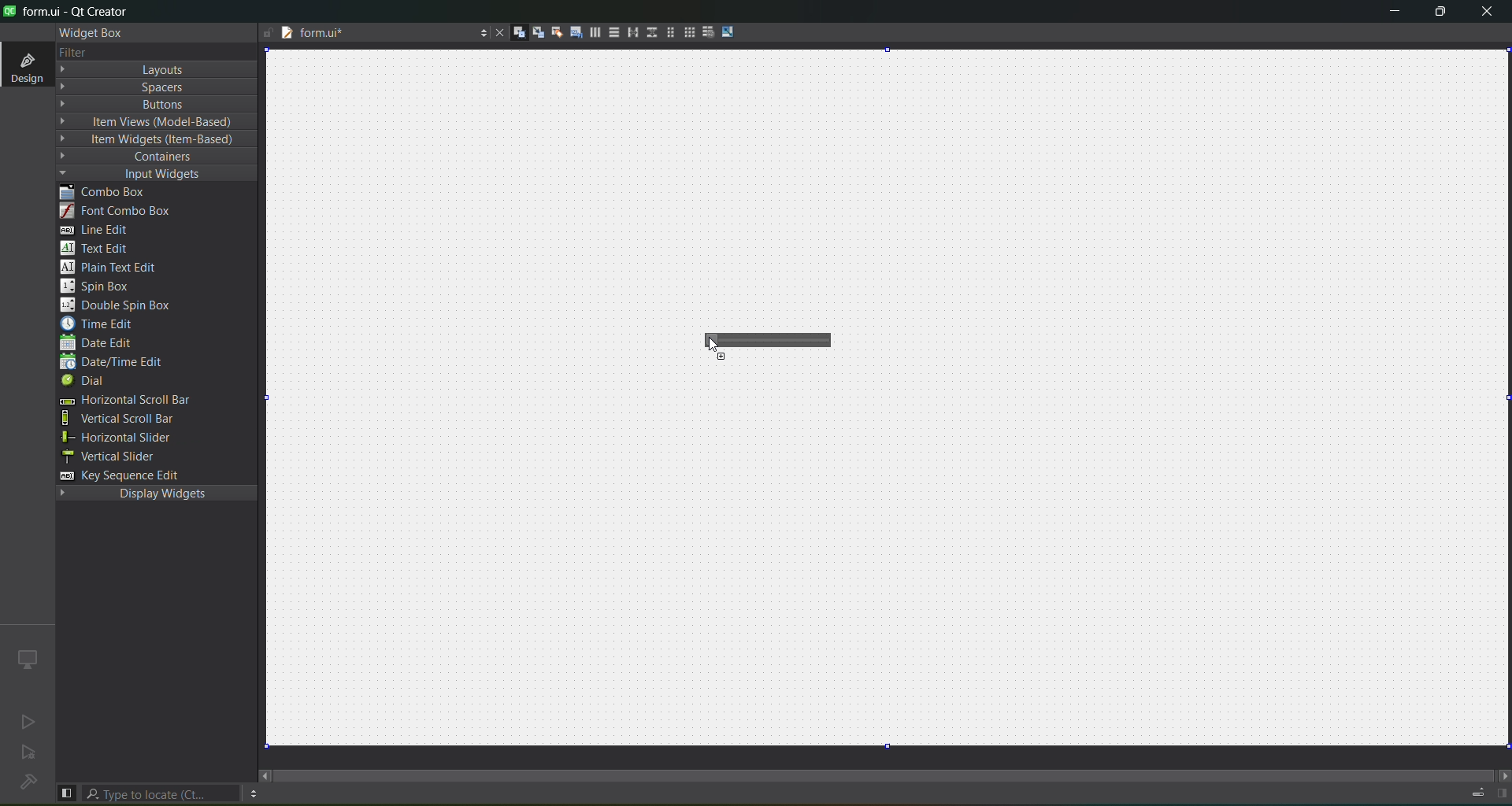 This screenshot has width=1512, height=806. What do you see at coordinates (98, 229) in the screenshot?
I see `line edit` at bounding box center [98, 229].